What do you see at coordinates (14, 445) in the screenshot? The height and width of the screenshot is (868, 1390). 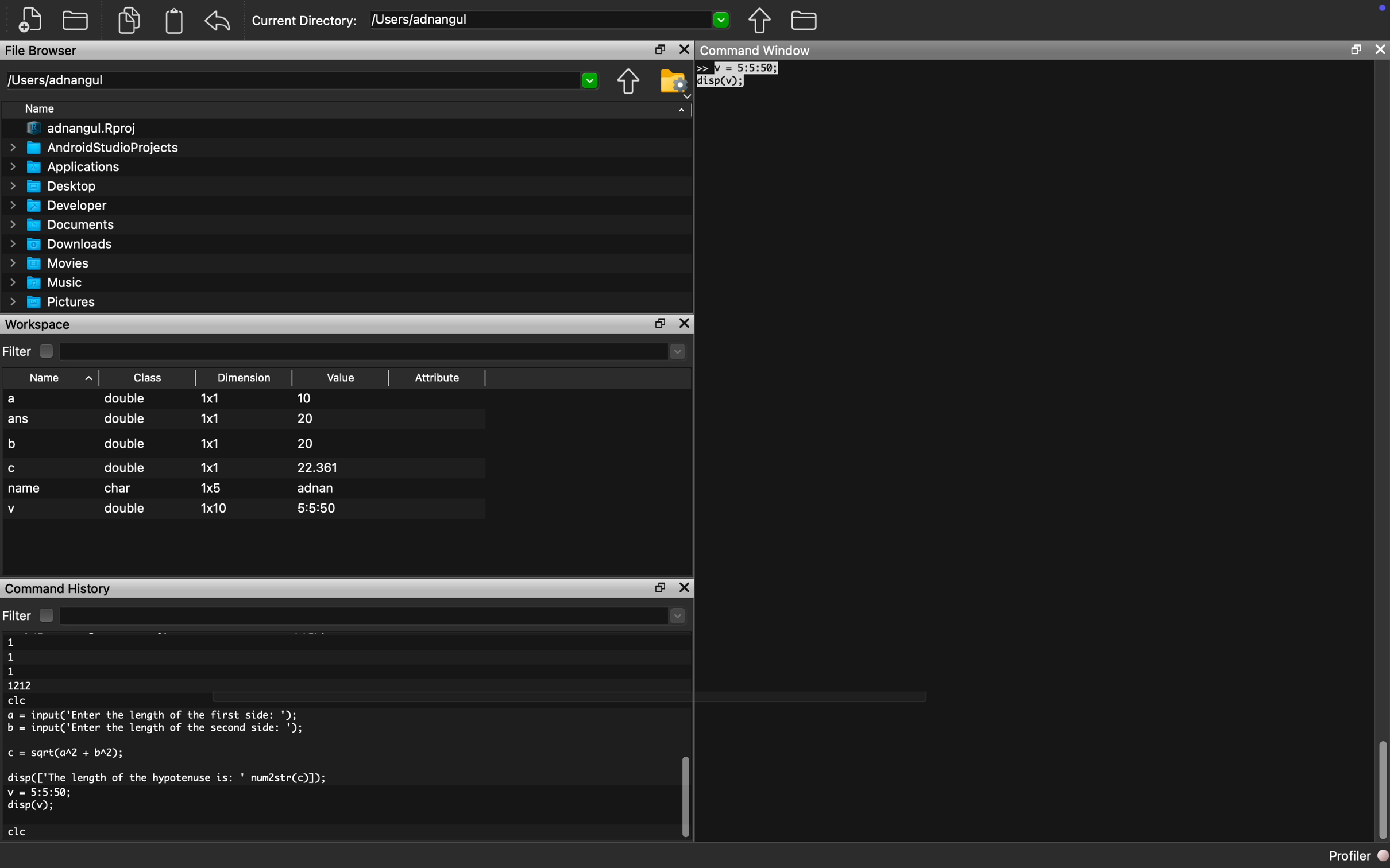 I see `b` at bounding box center [14, 445].